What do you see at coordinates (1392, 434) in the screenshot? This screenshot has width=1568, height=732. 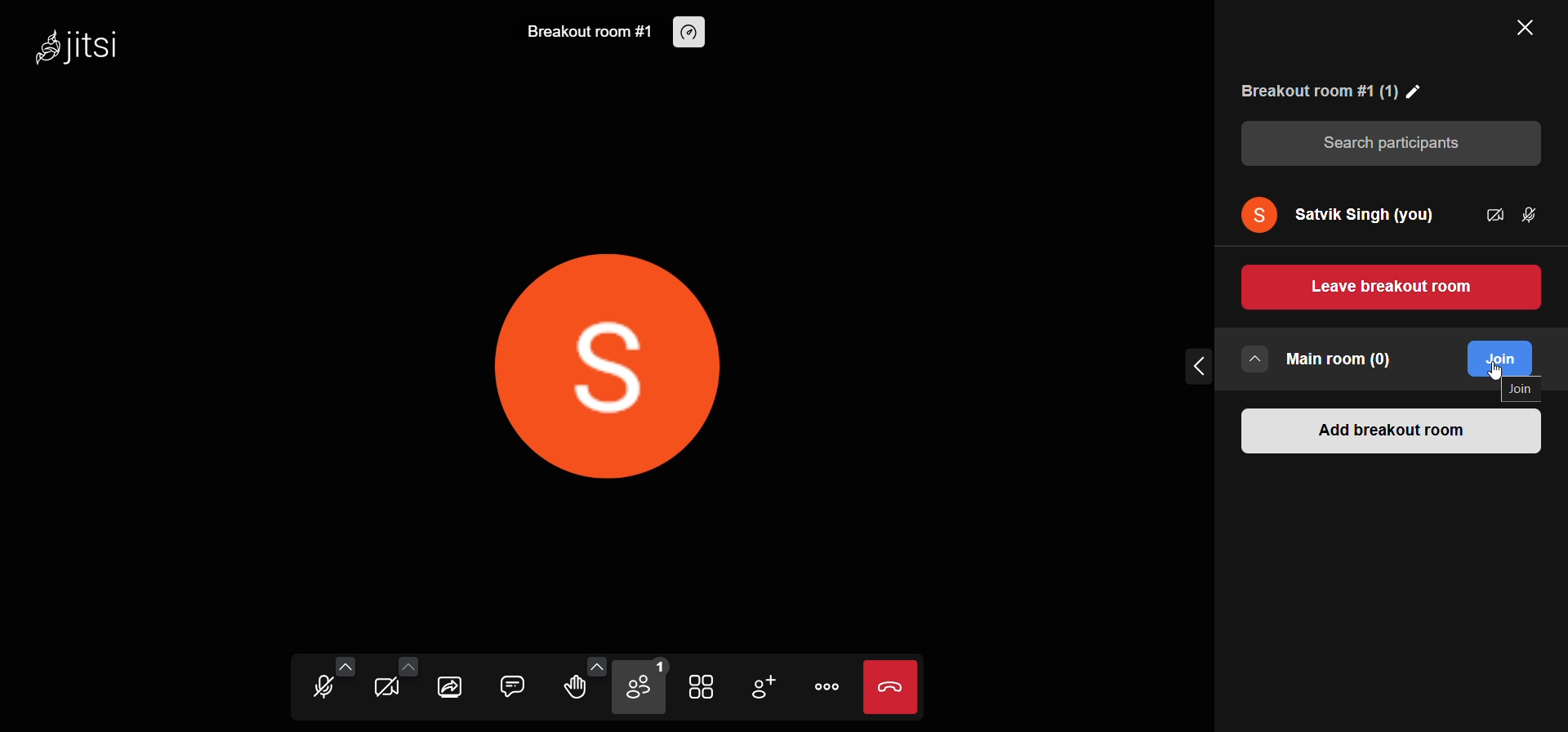 I see `add breakout room` at bounding box center [1392, 434].